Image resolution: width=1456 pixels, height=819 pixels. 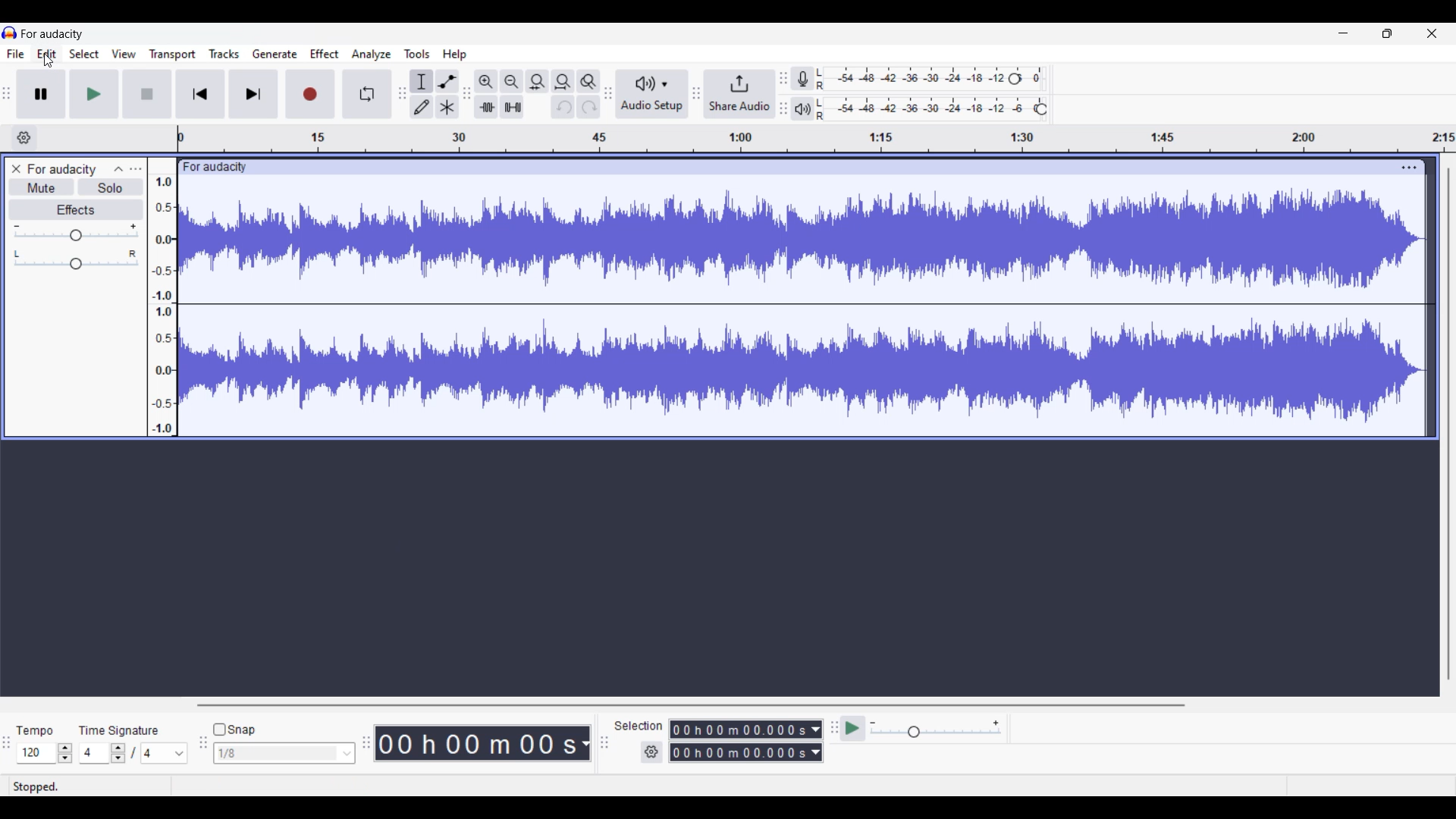 What do you see at coordinates (1409, 168) in the screenshot?
I see `Track settings` at bounding box center [1409, 168].